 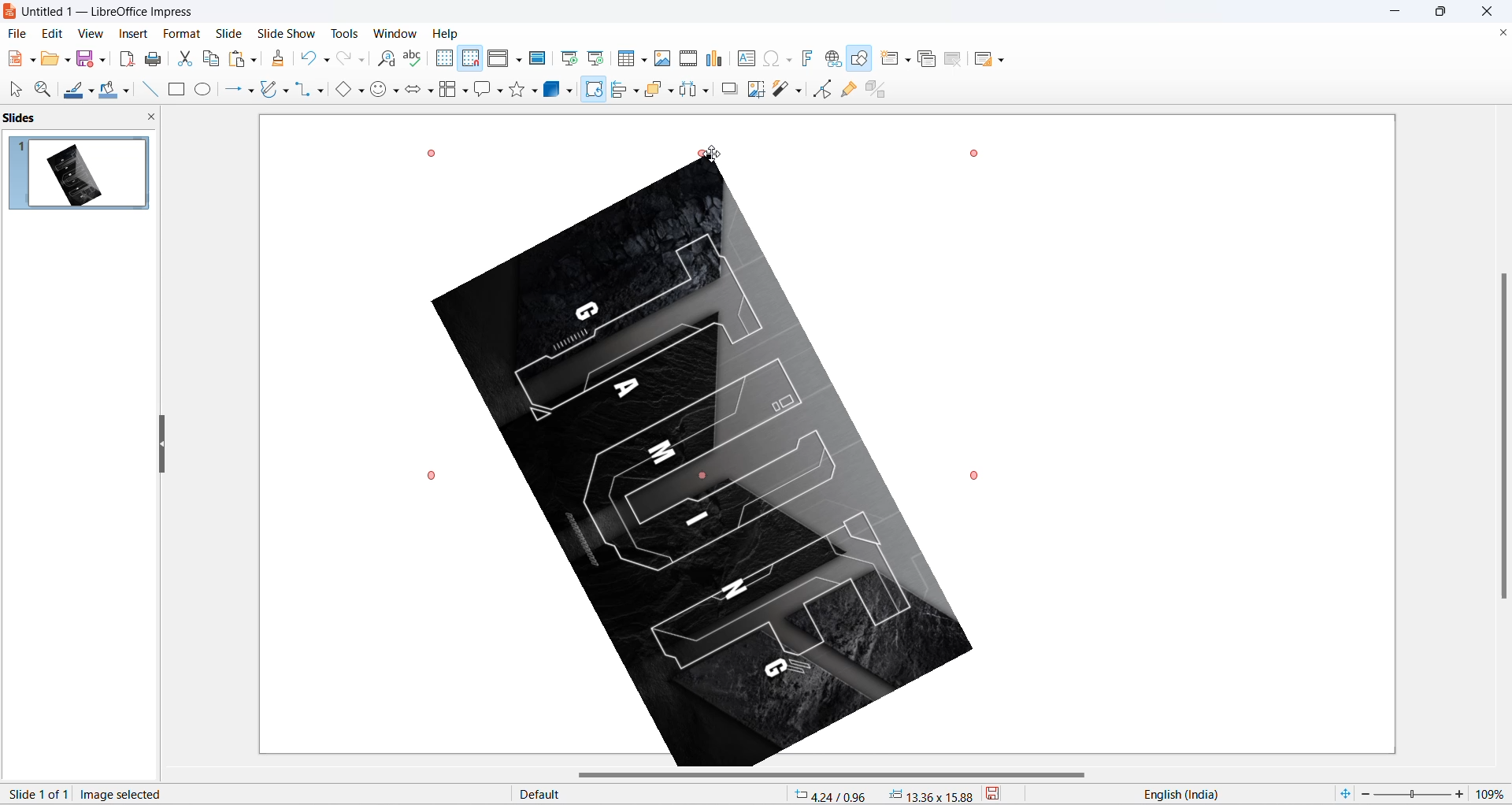 What do you see at coordinates (465, 92) in the screenshot?
I see `flow chart options` at bounding box center [465, 92].